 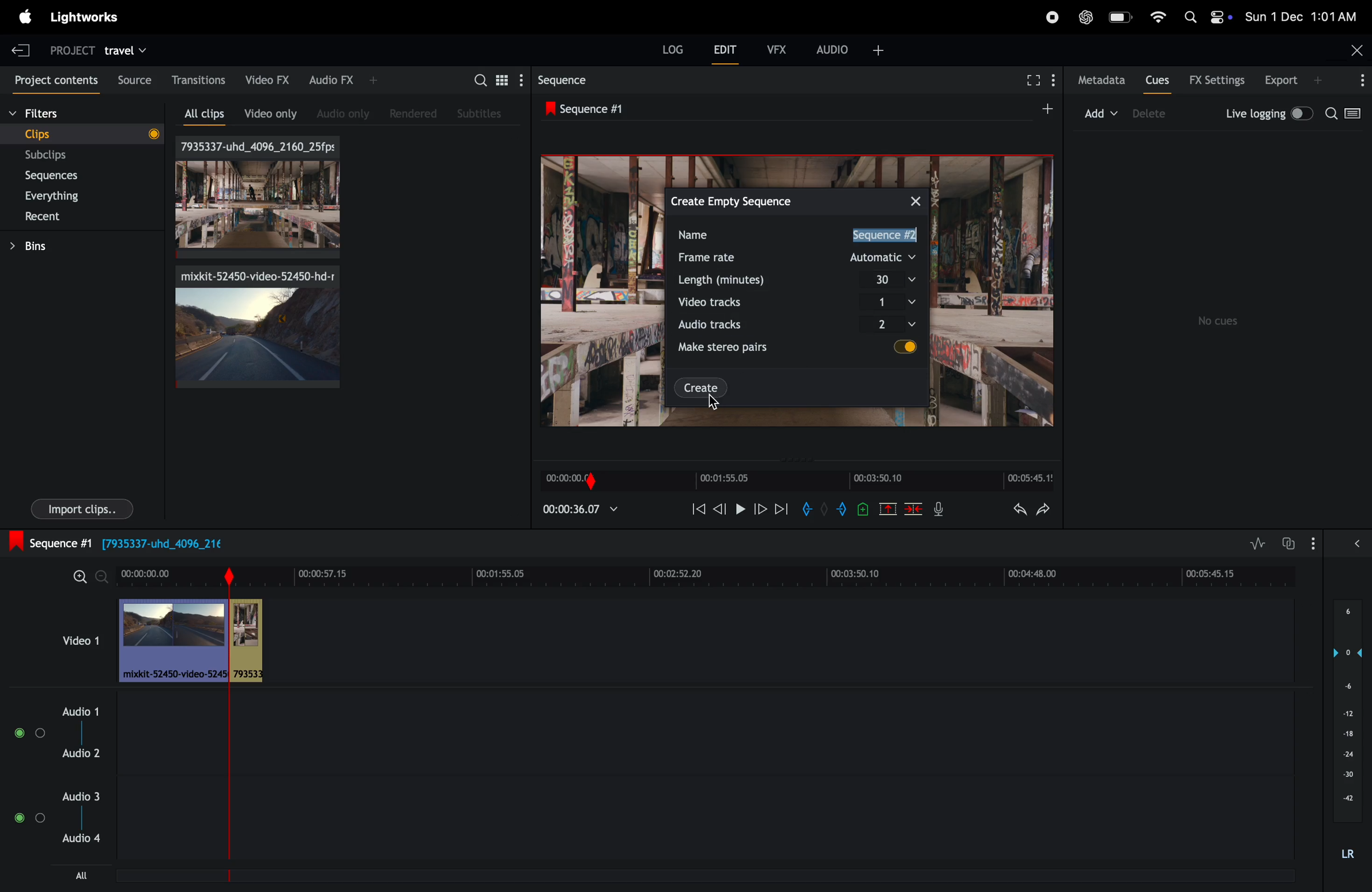 I want to click on bins, so click(x=77, y=246).